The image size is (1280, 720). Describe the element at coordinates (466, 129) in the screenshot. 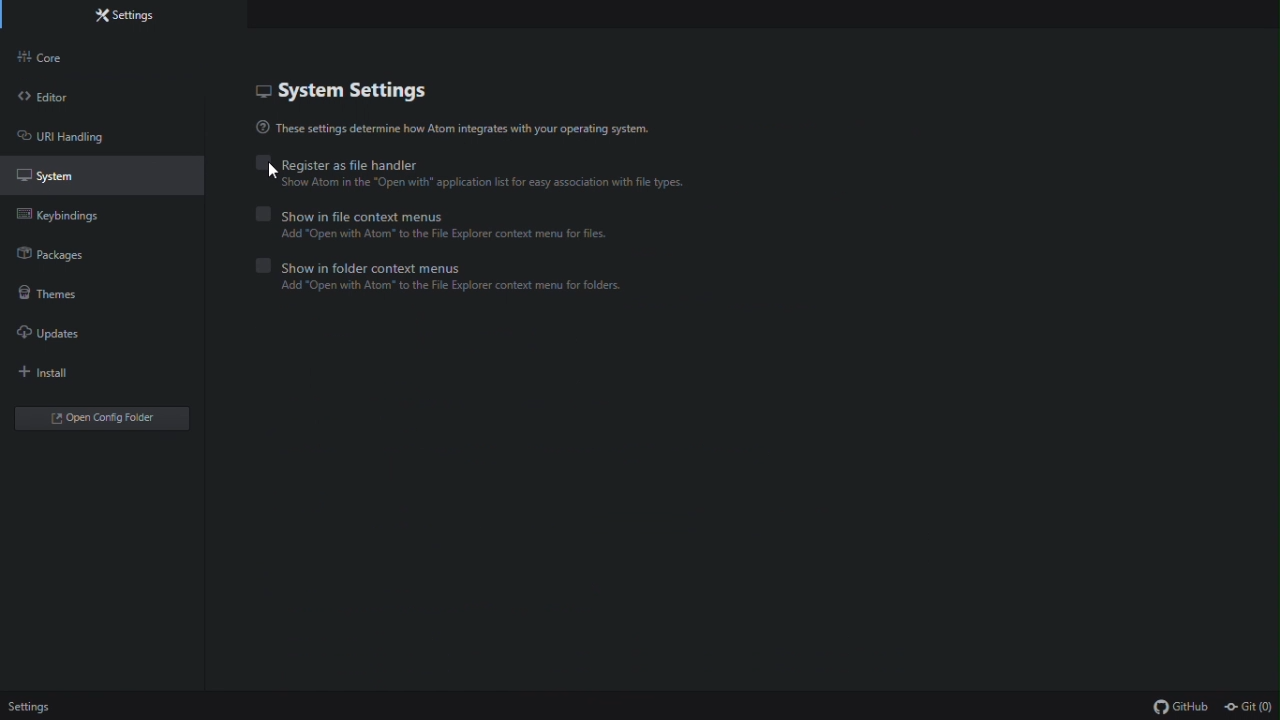

I see `These settings determine the atom integrate with your operating system` at that location.